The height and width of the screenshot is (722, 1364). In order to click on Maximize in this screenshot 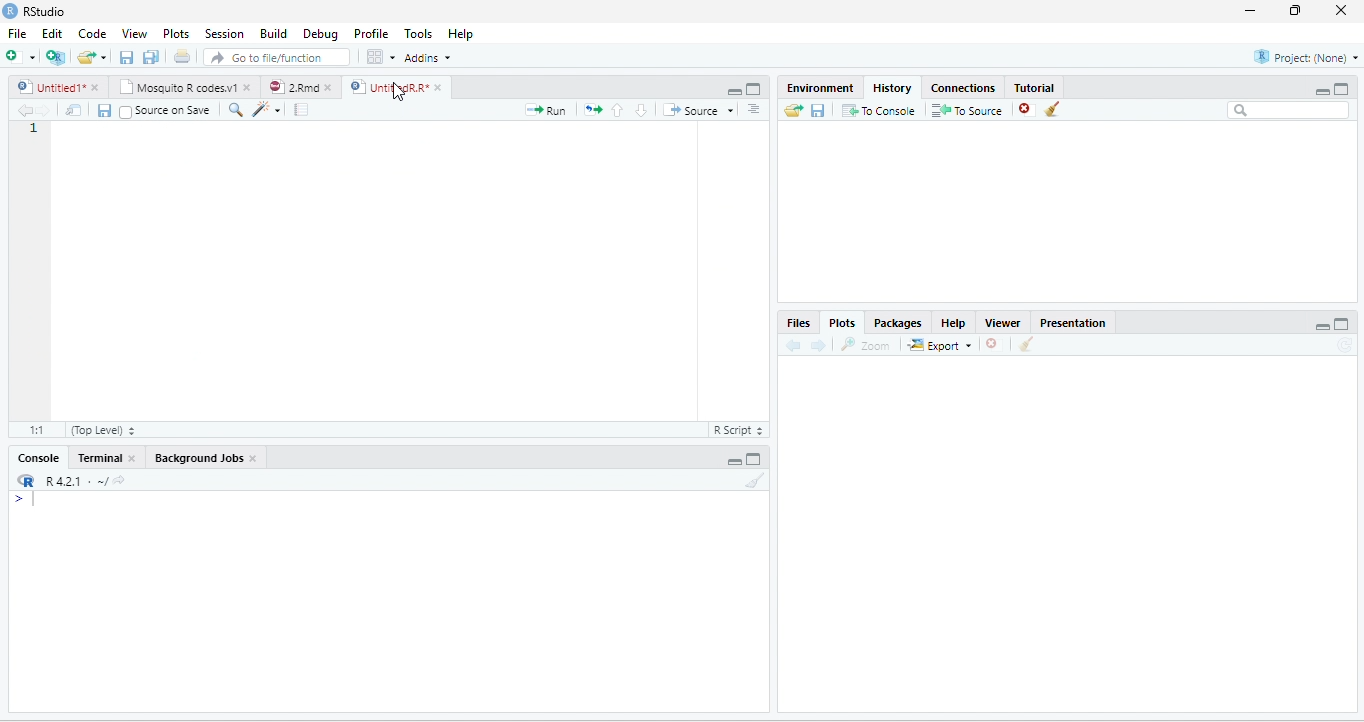, I will do `click(755, 89)`.